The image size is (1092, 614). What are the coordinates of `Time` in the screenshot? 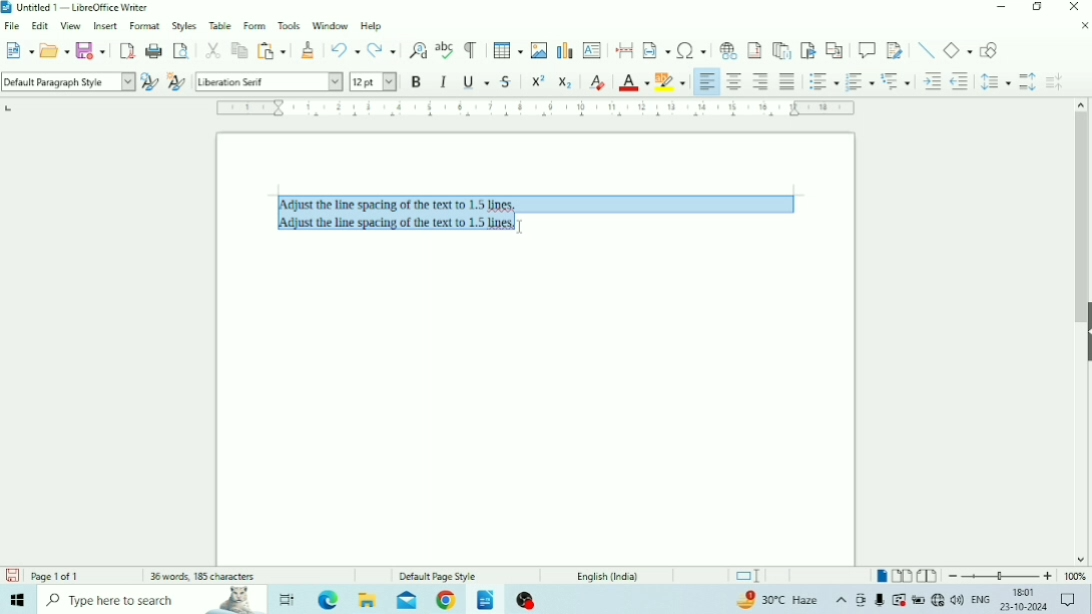 It's located at (1023, 591).